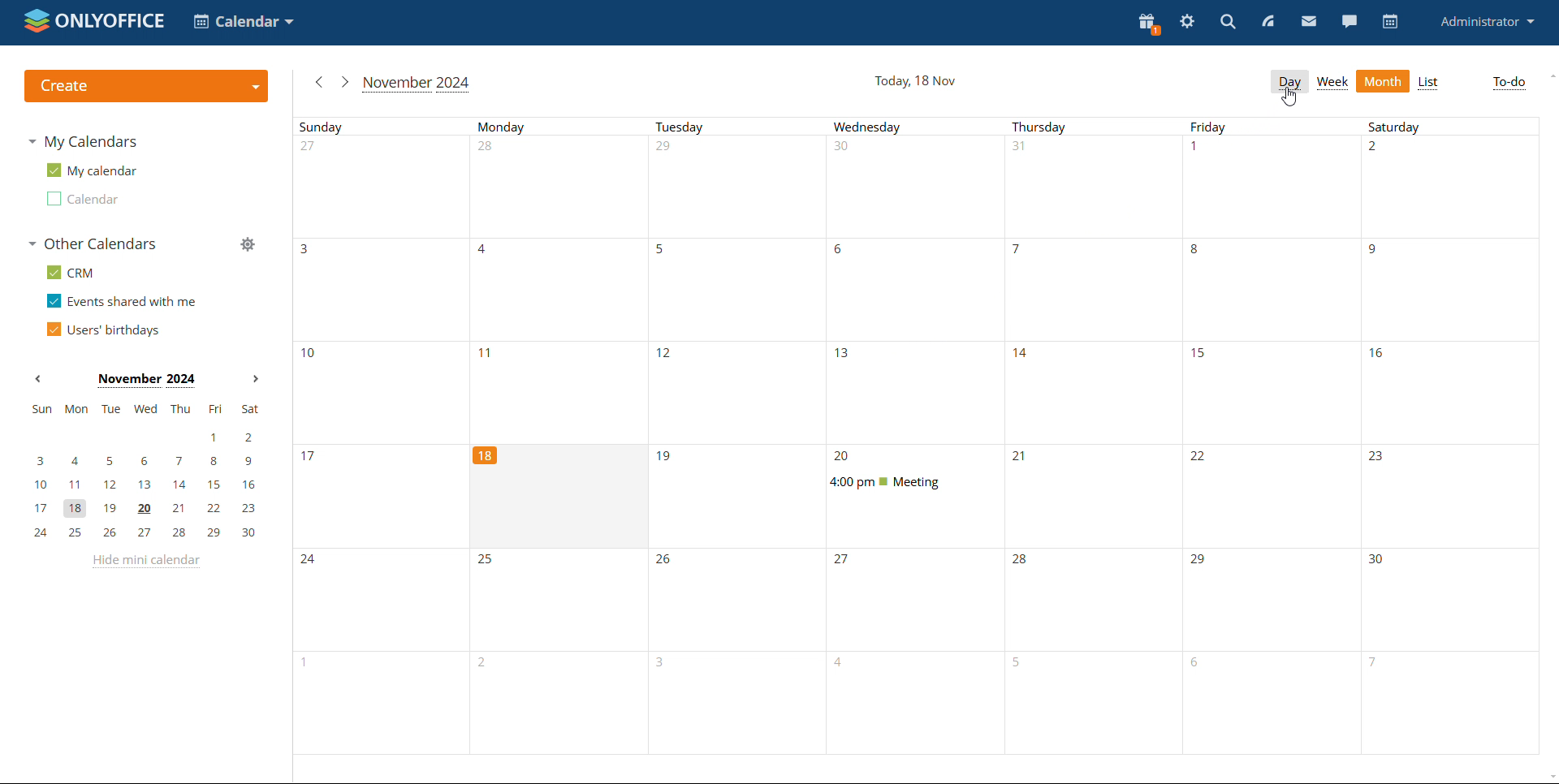 The width and height of the screenshot is (1559, 784). I want to click on crm, so click(69, 273).